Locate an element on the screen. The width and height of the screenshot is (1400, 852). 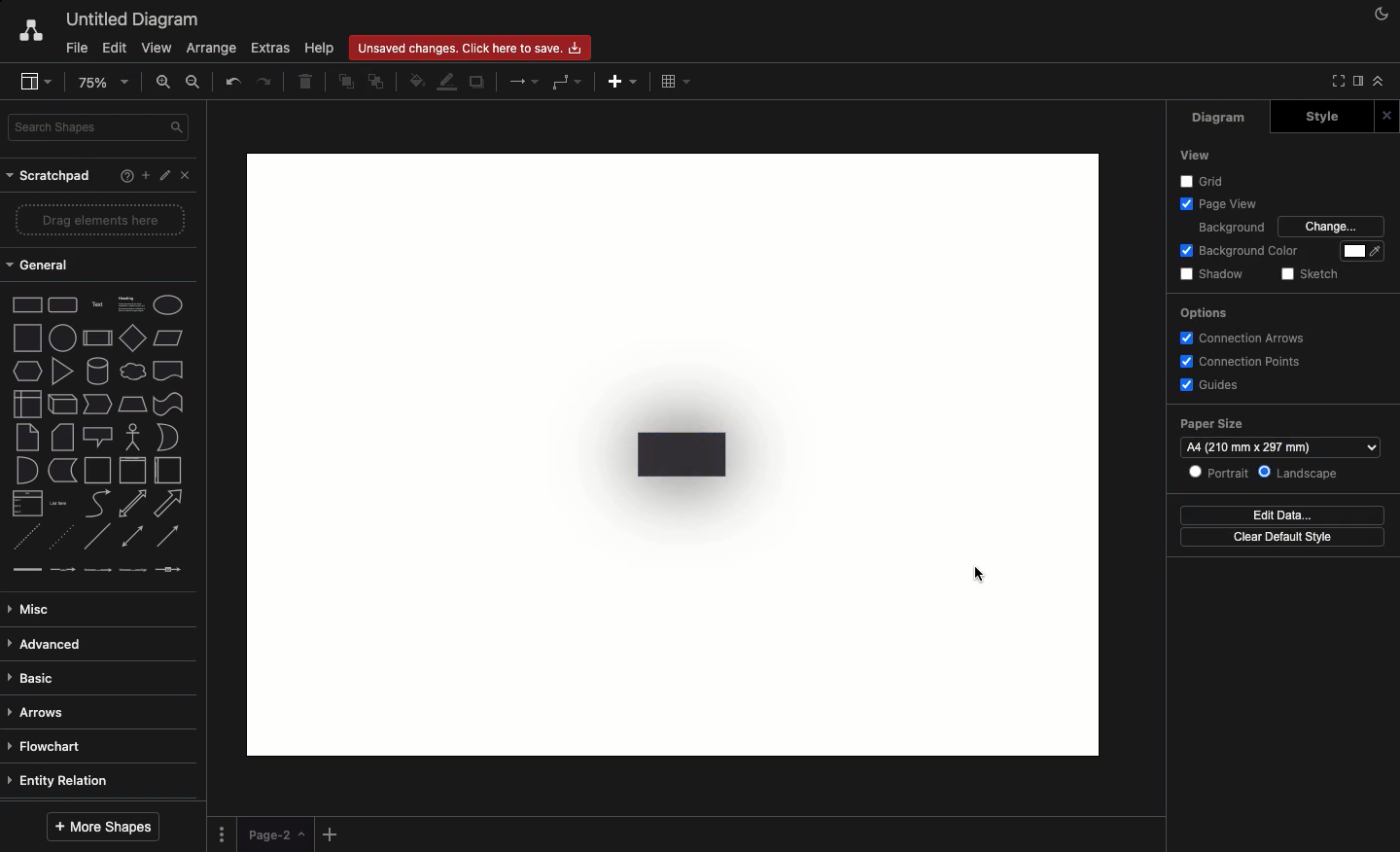
Landscape is located at coordinates (1297, 474).